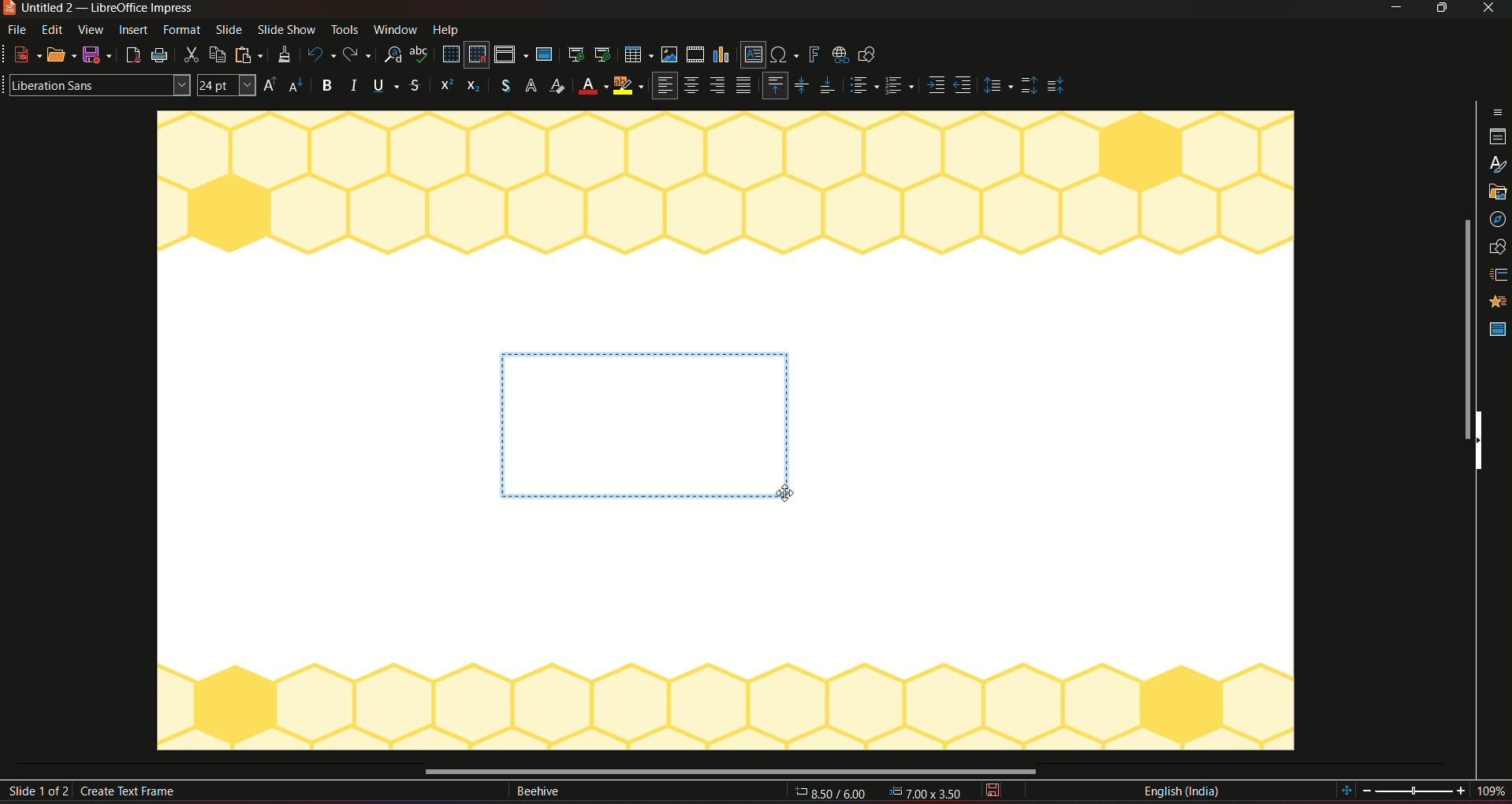 The width and height of the screenshot is (1512, 804). I want to click on Strikethrough, so click(415, 86).